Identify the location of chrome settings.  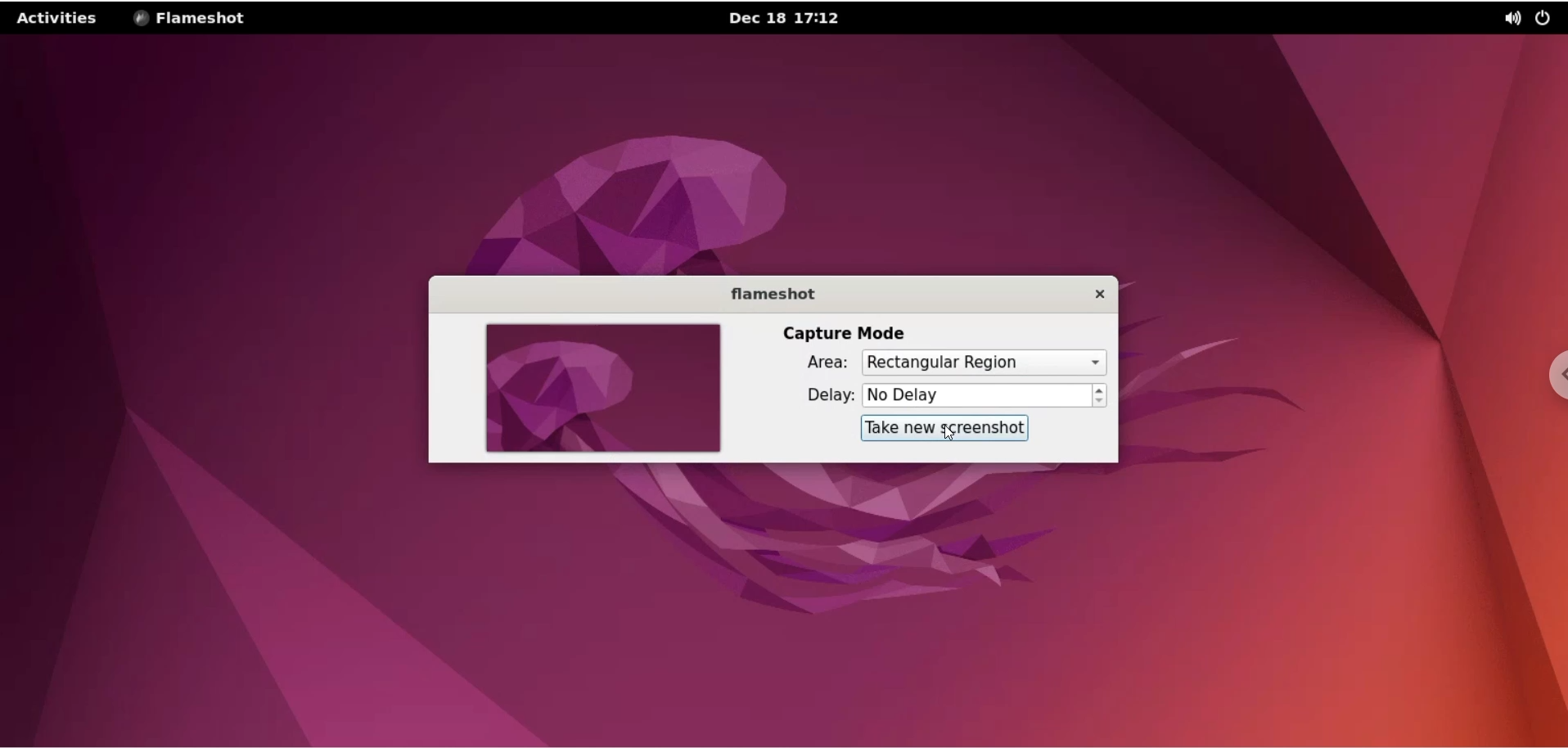
(1552, 376).